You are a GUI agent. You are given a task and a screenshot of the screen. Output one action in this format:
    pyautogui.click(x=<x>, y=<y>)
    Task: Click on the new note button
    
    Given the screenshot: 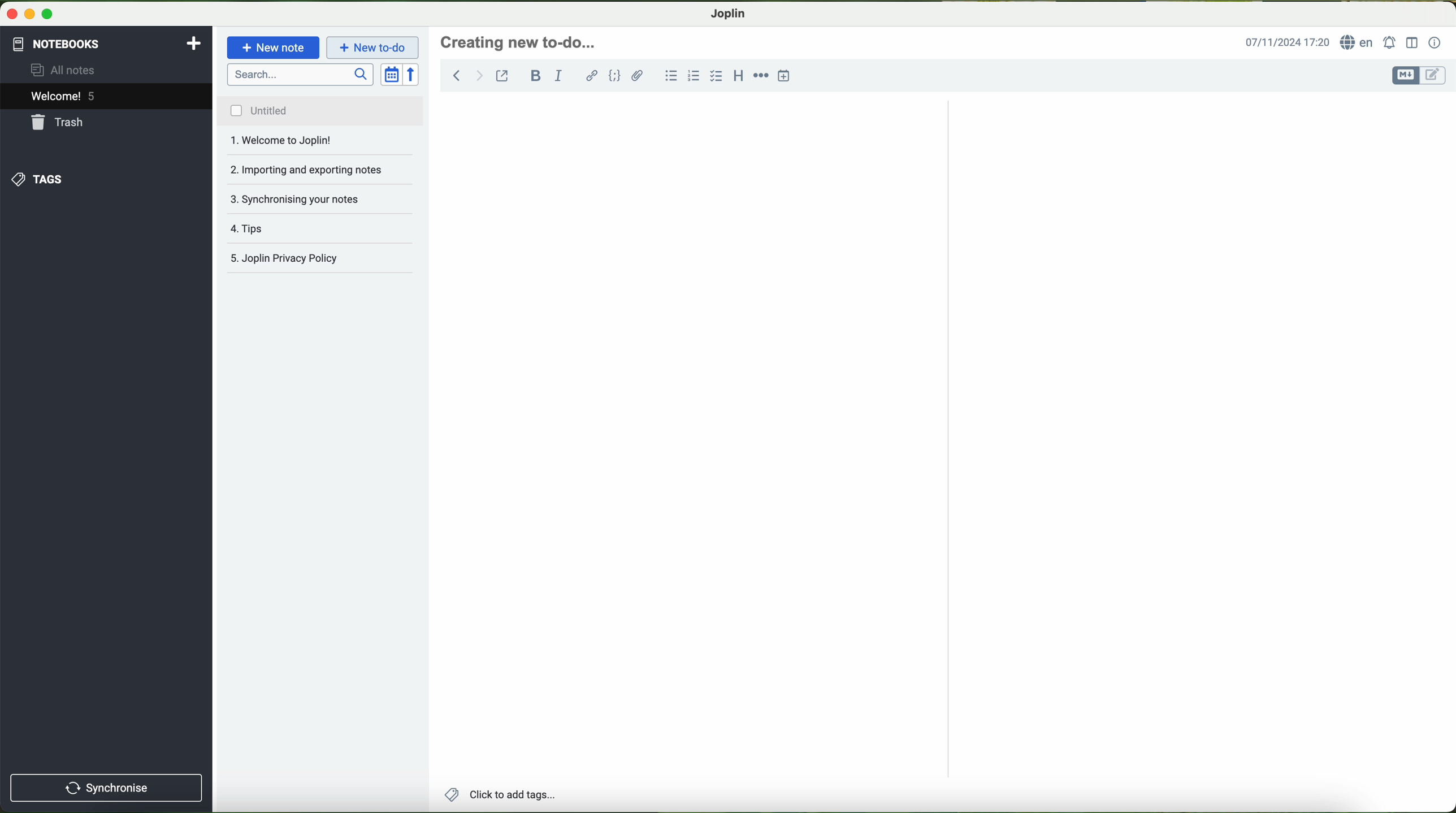 What is the action you would take?
    pyautogui.click(x=274, y=47)
    